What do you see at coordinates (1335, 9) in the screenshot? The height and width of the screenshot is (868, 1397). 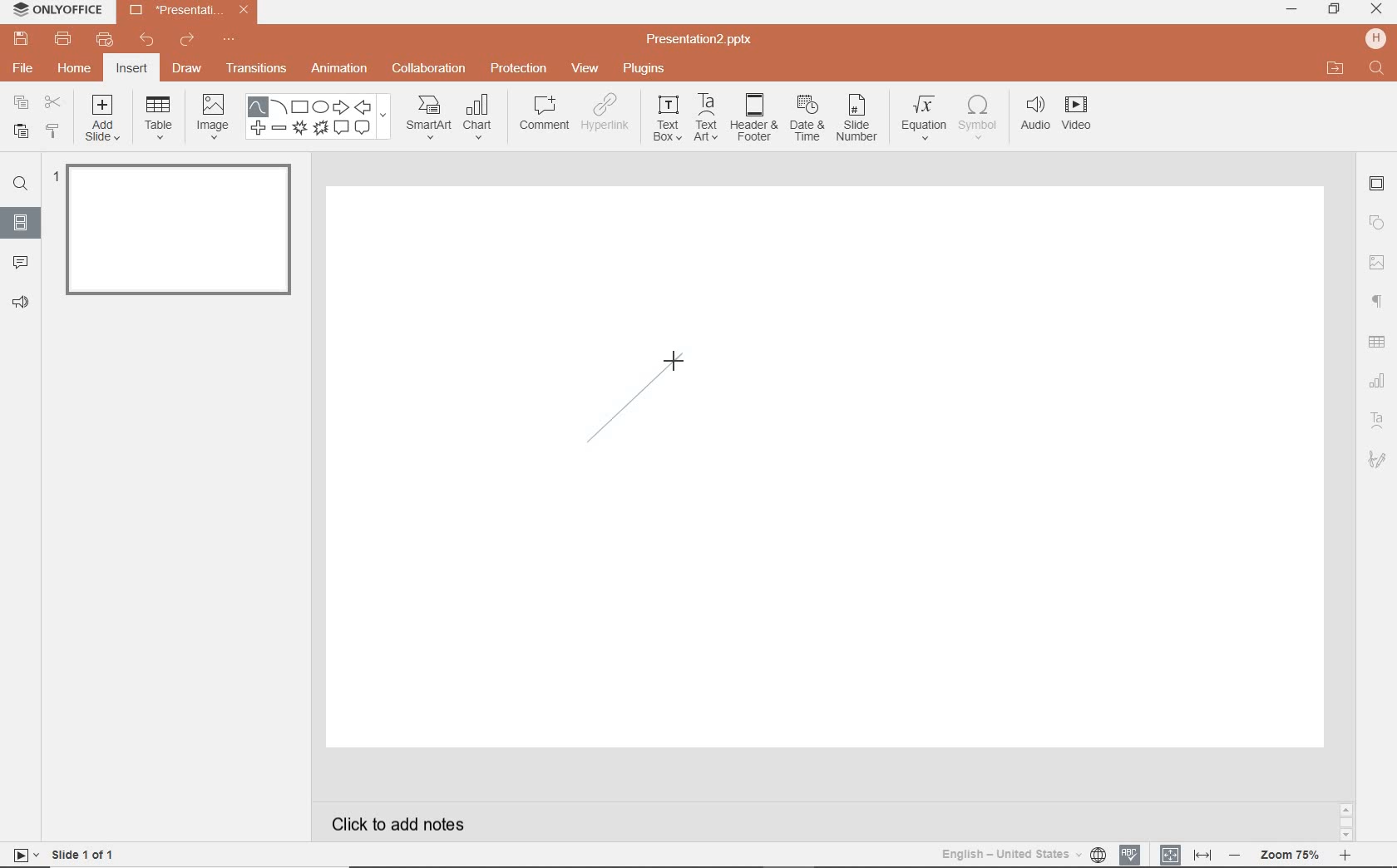 I see `RESTORE` at bounding box center [1335, 9].